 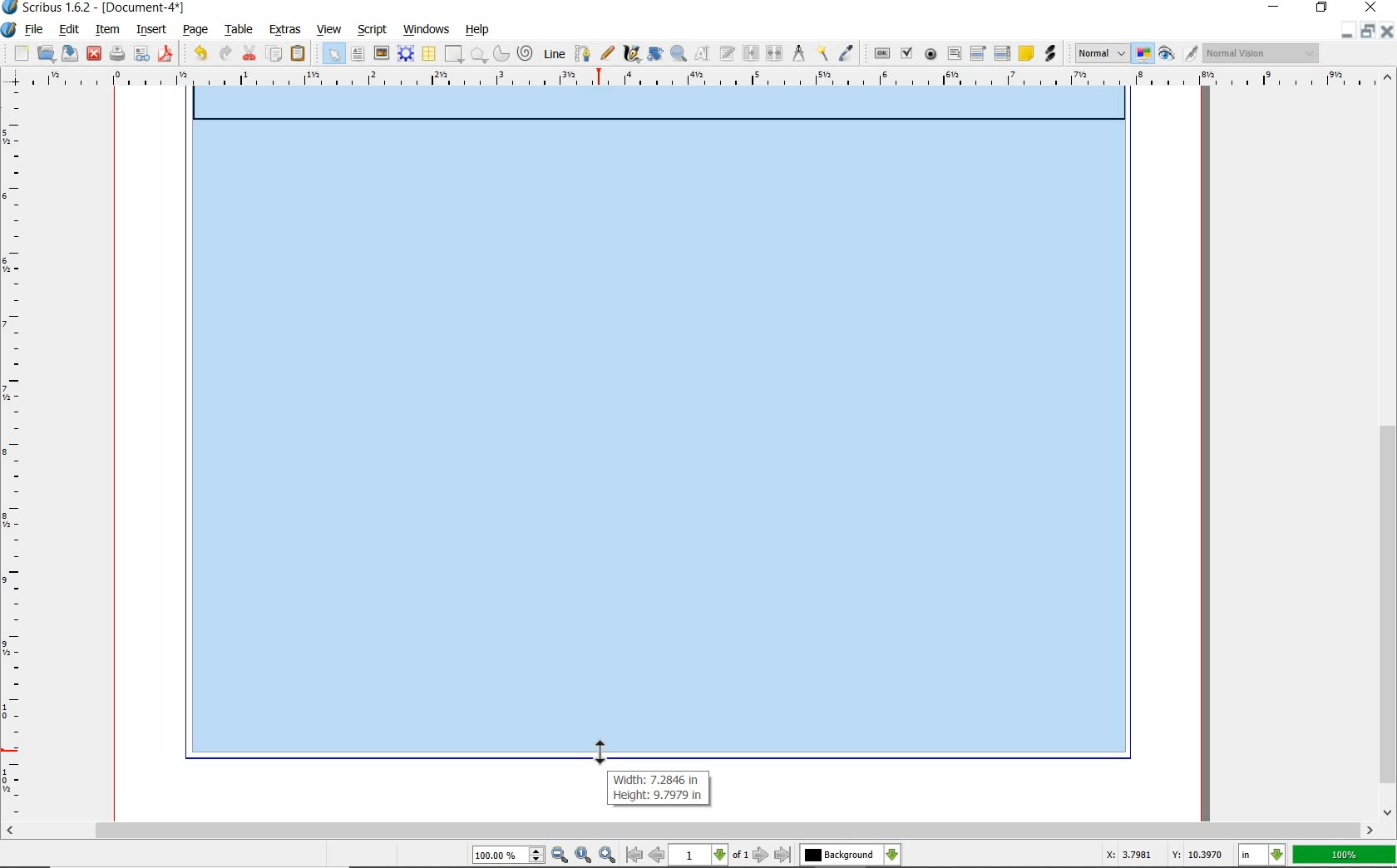 What do you see at coordinates (9, 29) in the screenshot?
I see `system icon` at bounding box center [9, 29].